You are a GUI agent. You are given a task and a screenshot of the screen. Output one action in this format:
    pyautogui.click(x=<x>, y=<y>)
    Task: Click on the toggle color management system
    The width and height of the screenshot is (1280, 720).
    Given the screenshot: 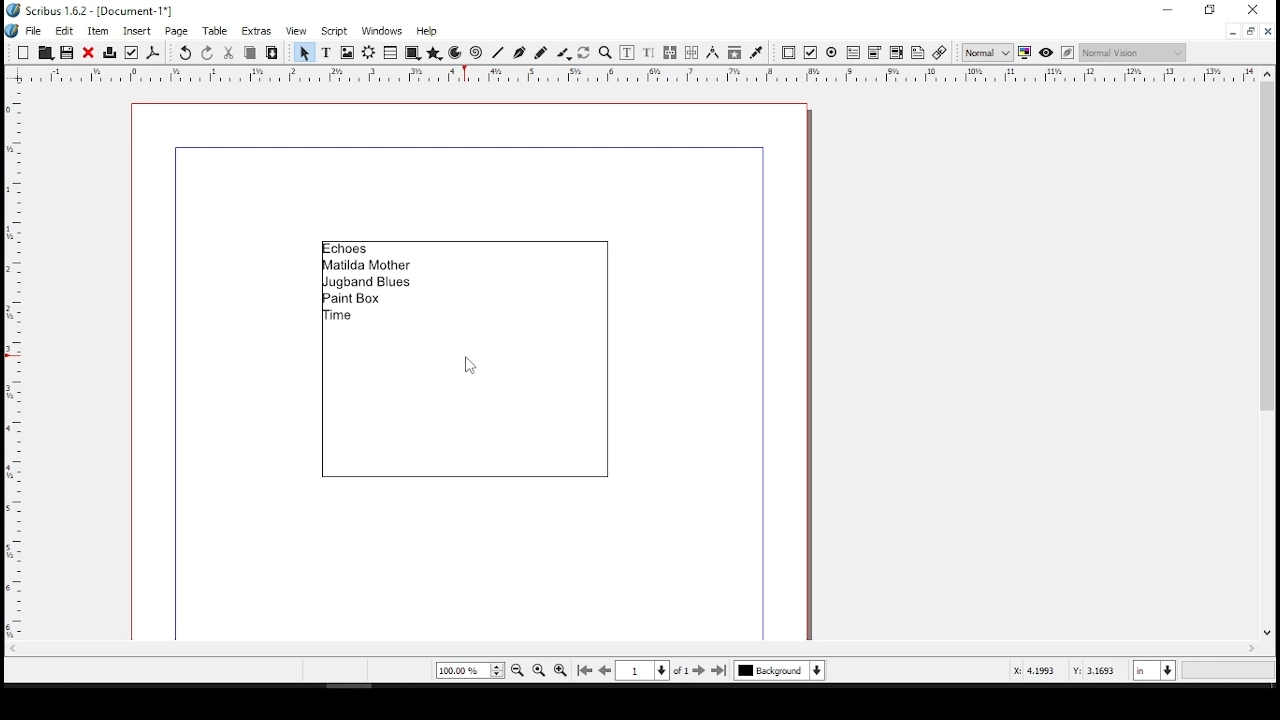 What is the action you would take?
    pyautogui.click(x=1024, y=54)
    